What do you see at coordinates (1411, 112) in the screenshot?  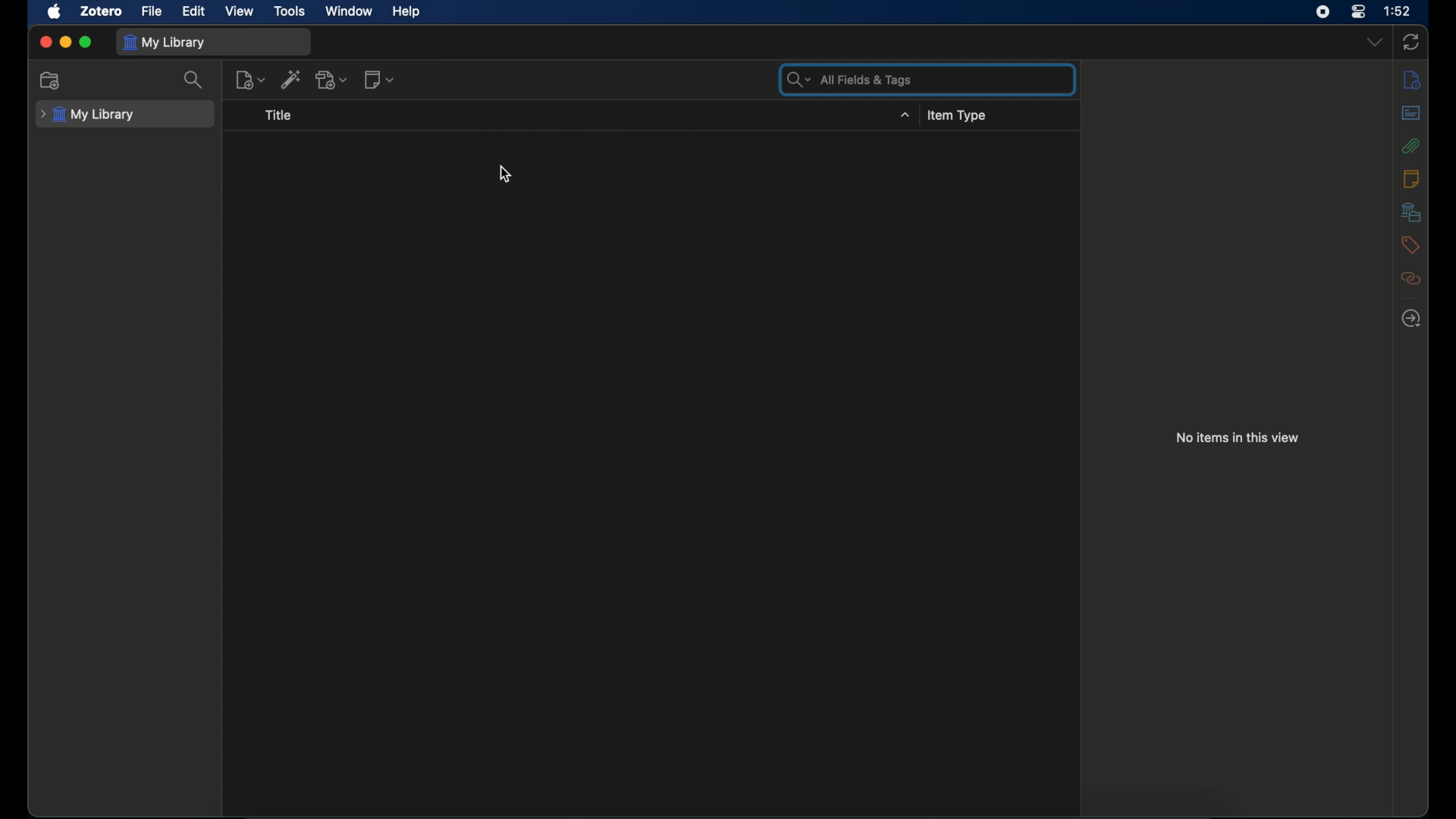 I see `abstracts` at bounding box center [1411, 112].